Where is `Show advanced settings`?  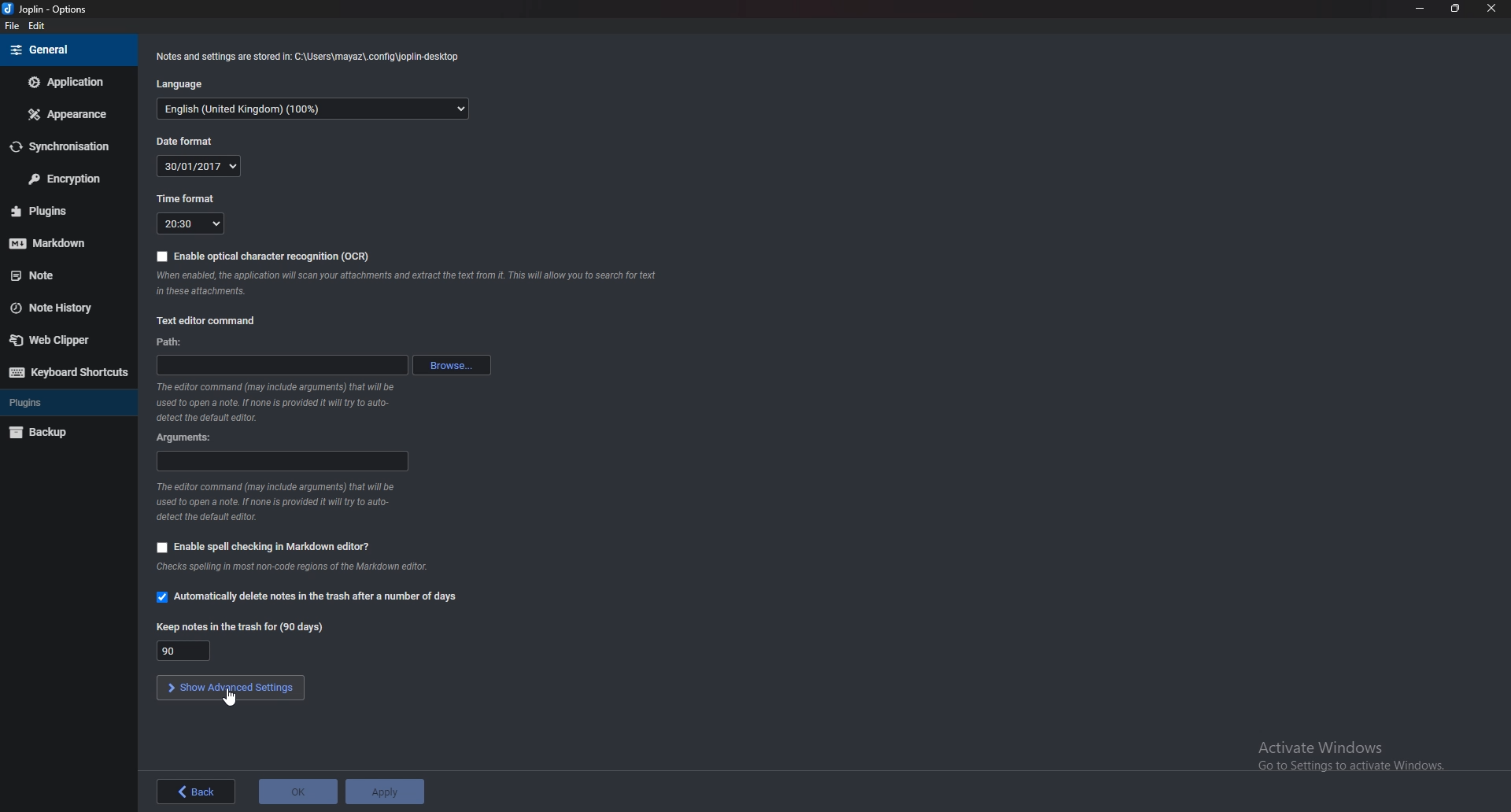 Show advanced settings is located at coordinates (230, 687).